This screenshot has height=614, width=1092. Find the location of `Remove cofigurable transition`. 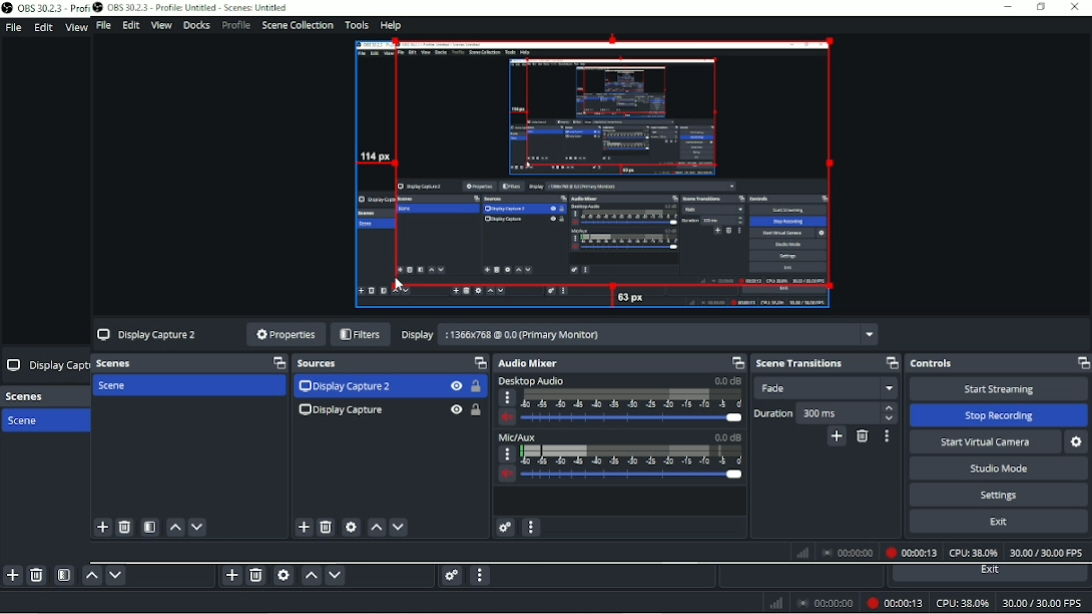

Remove cofigurable transition is located at coordinates (863, 438).